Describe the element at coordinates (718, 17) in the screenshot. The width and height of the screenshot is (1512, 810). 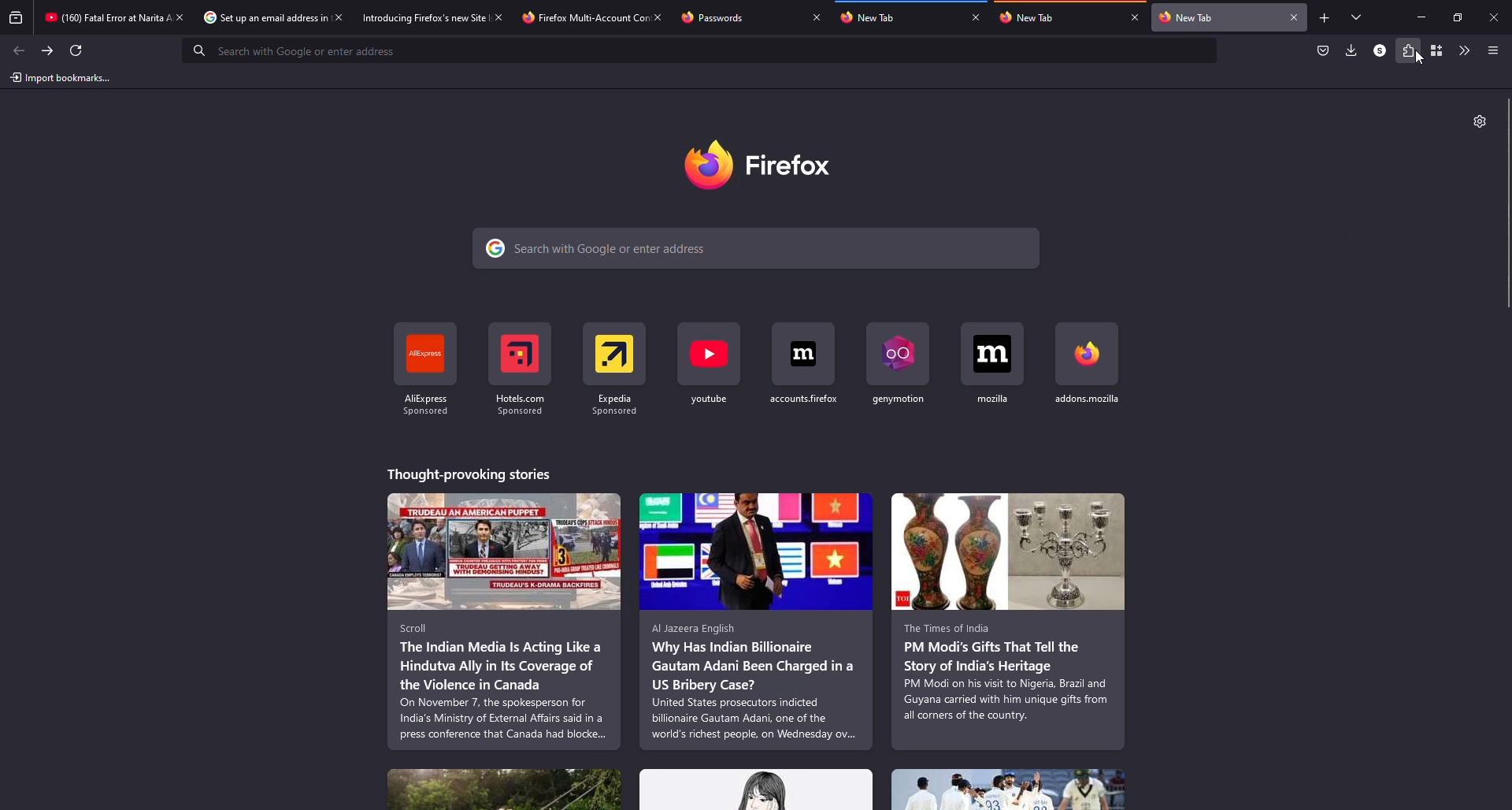
I see `tab` at that location.